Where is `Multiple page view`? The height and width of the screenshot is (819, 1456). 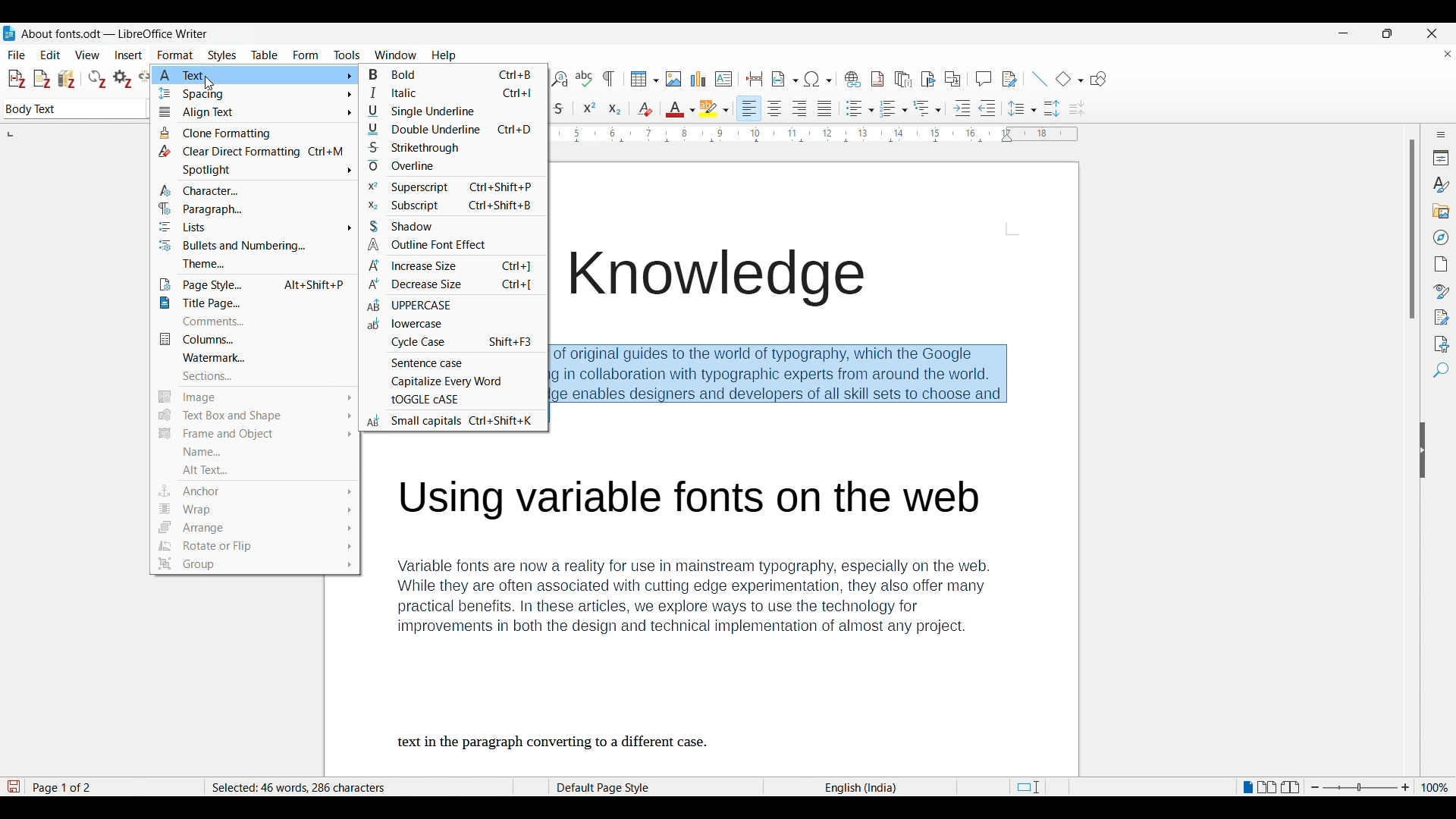
Multiple page view is located at coordinates (1267, 787).